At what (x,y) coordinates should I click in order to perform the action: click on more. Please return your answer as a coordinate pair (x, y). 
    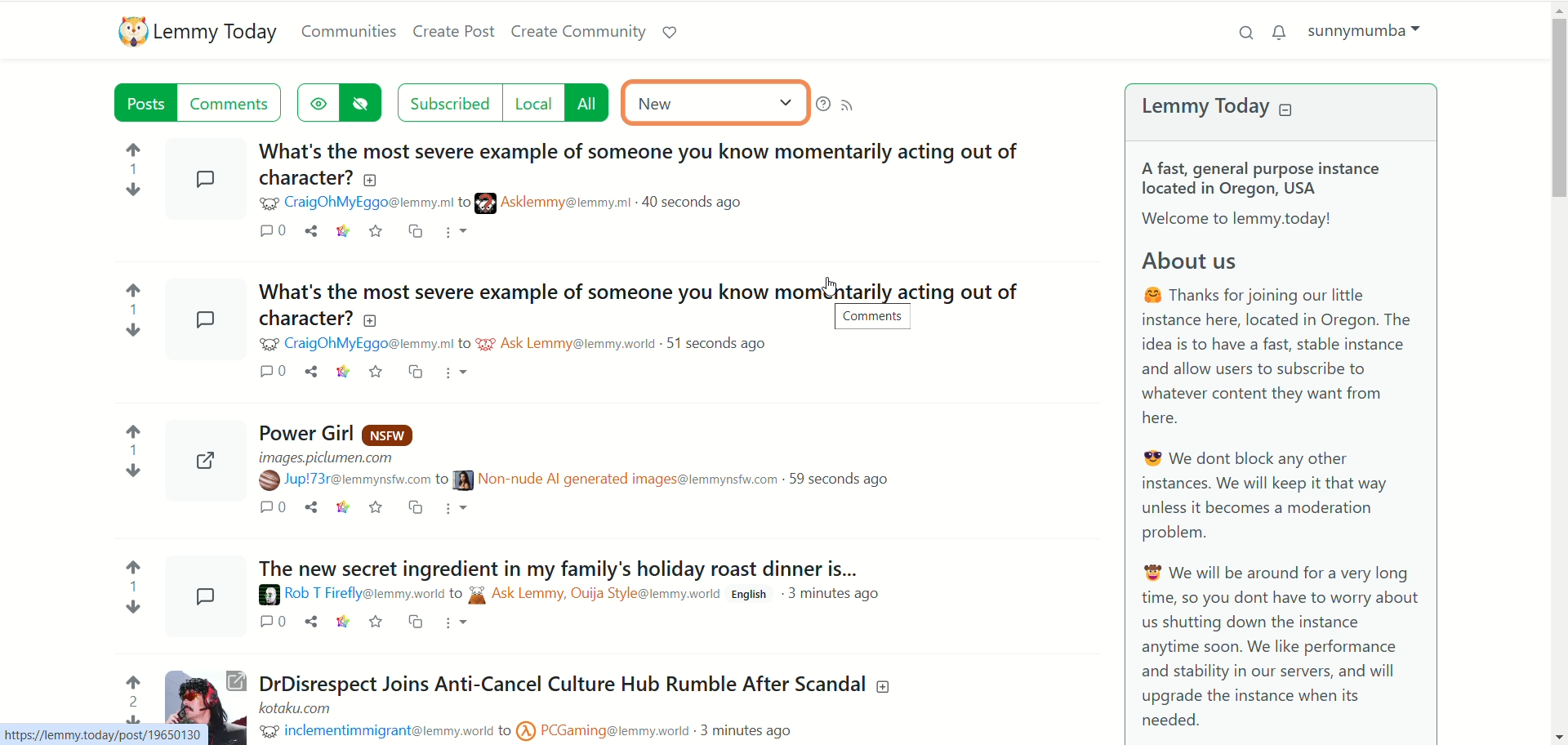
    Looking at the image, I should click on (461, 373).